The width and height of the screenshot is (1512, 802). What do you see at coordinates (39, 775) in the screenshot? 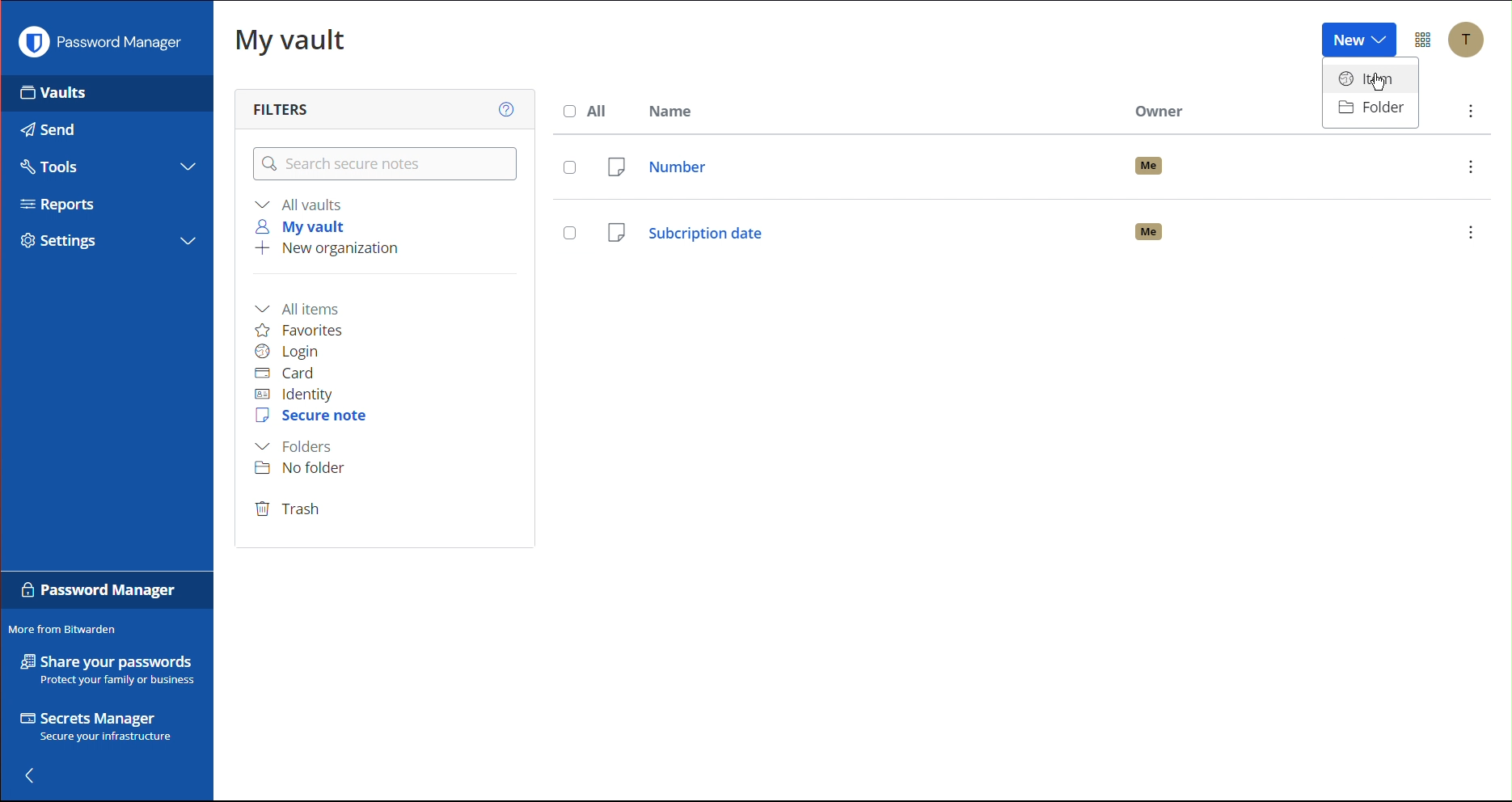
I see `Back` at bounding box center [39, 775].